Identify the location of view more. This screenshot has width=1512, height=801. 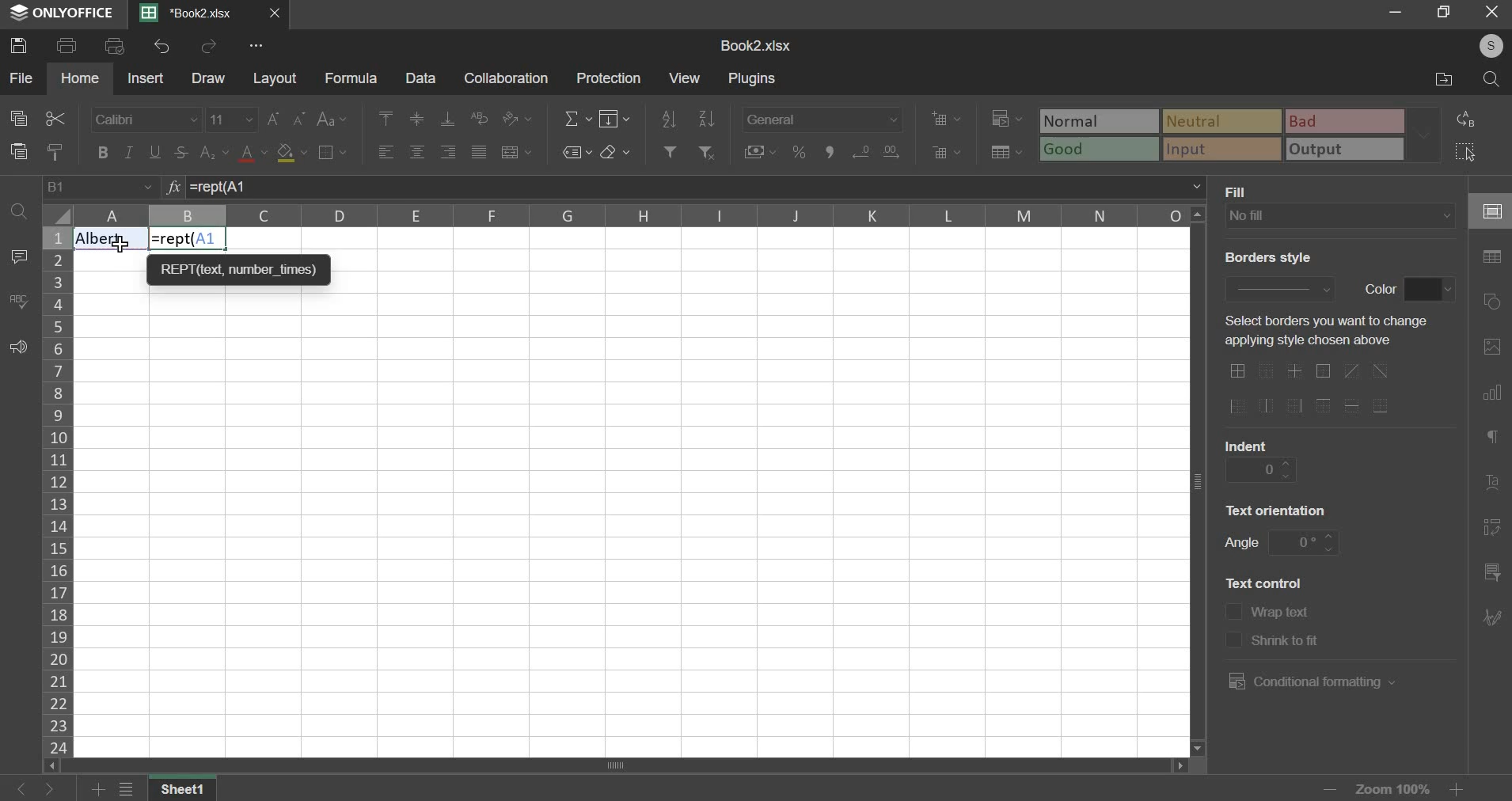
(257, 45).